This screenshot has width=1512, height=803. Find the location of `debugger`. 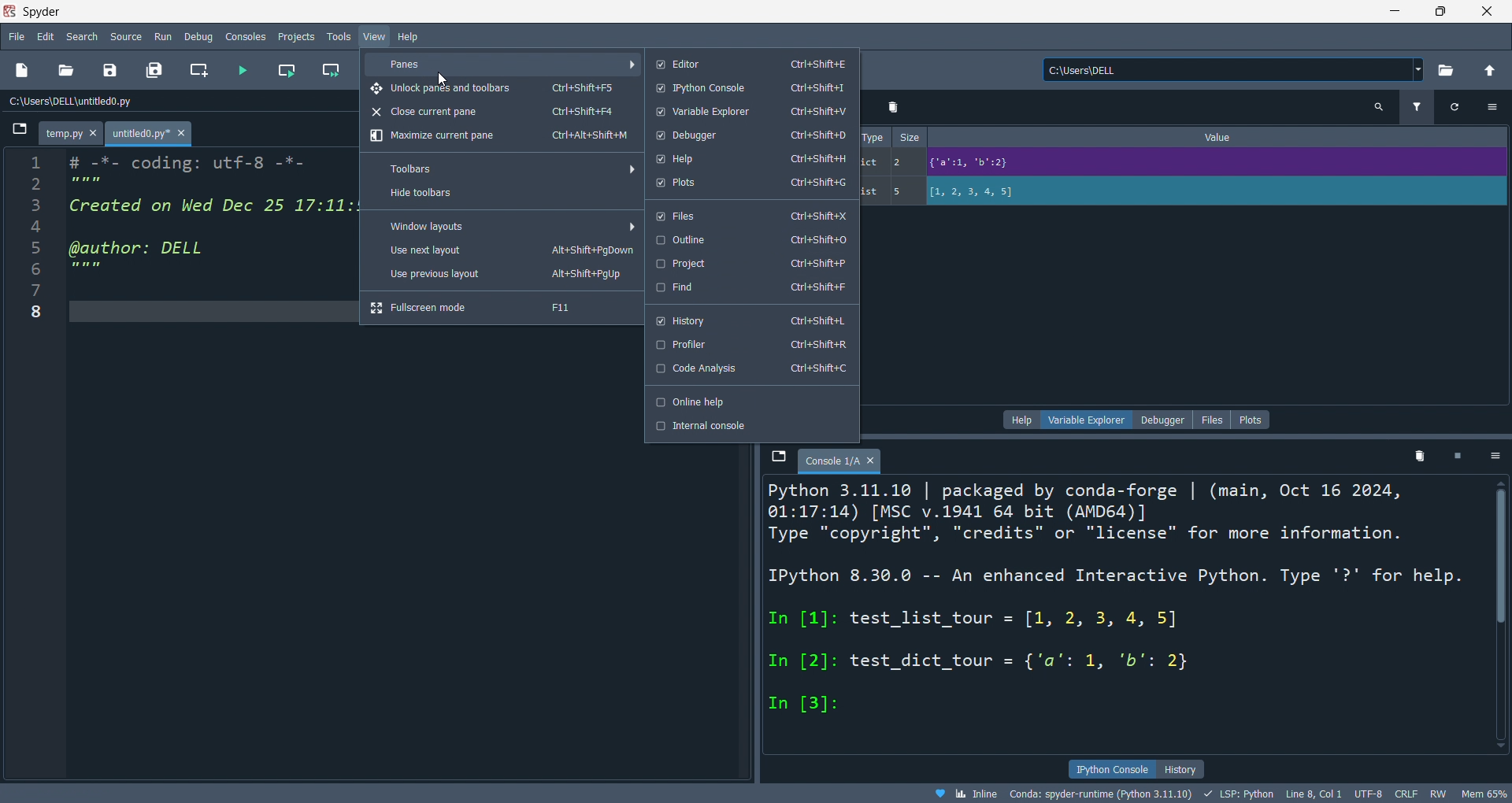

debugger is located at coordinates (754, 135).